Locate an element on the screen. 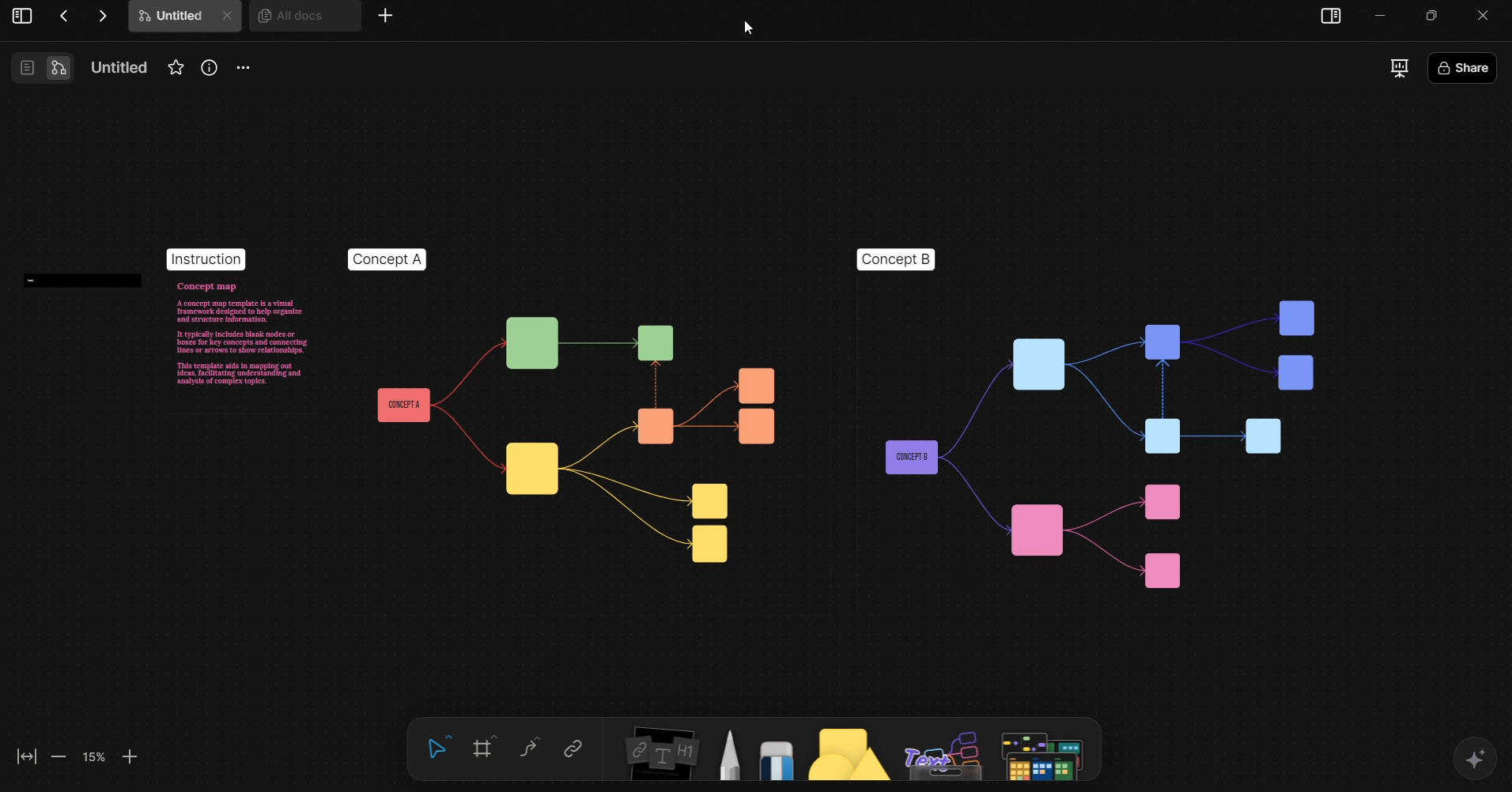 This screenshot has height=792, width=1512. Shapes tool is located at coordinates (846, 753).